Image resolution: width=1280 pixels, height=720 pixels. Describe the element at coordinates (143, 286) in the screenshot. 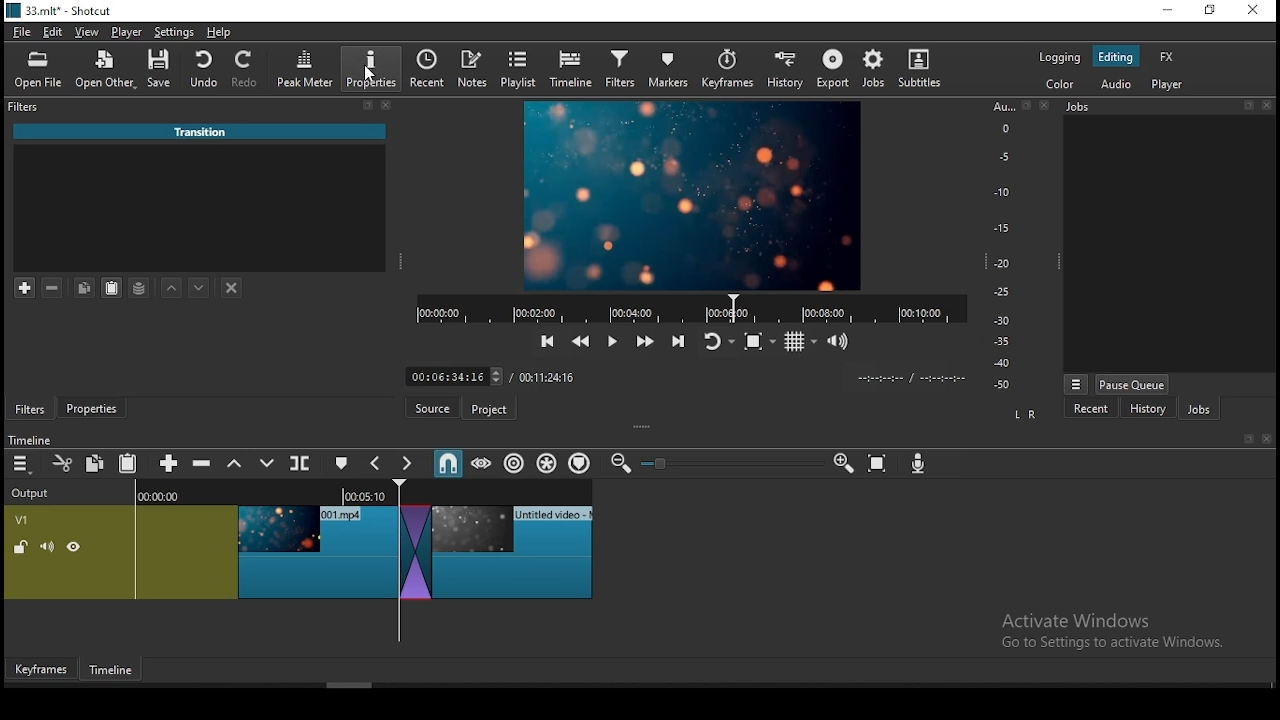

I see `save filter sets` at that location.